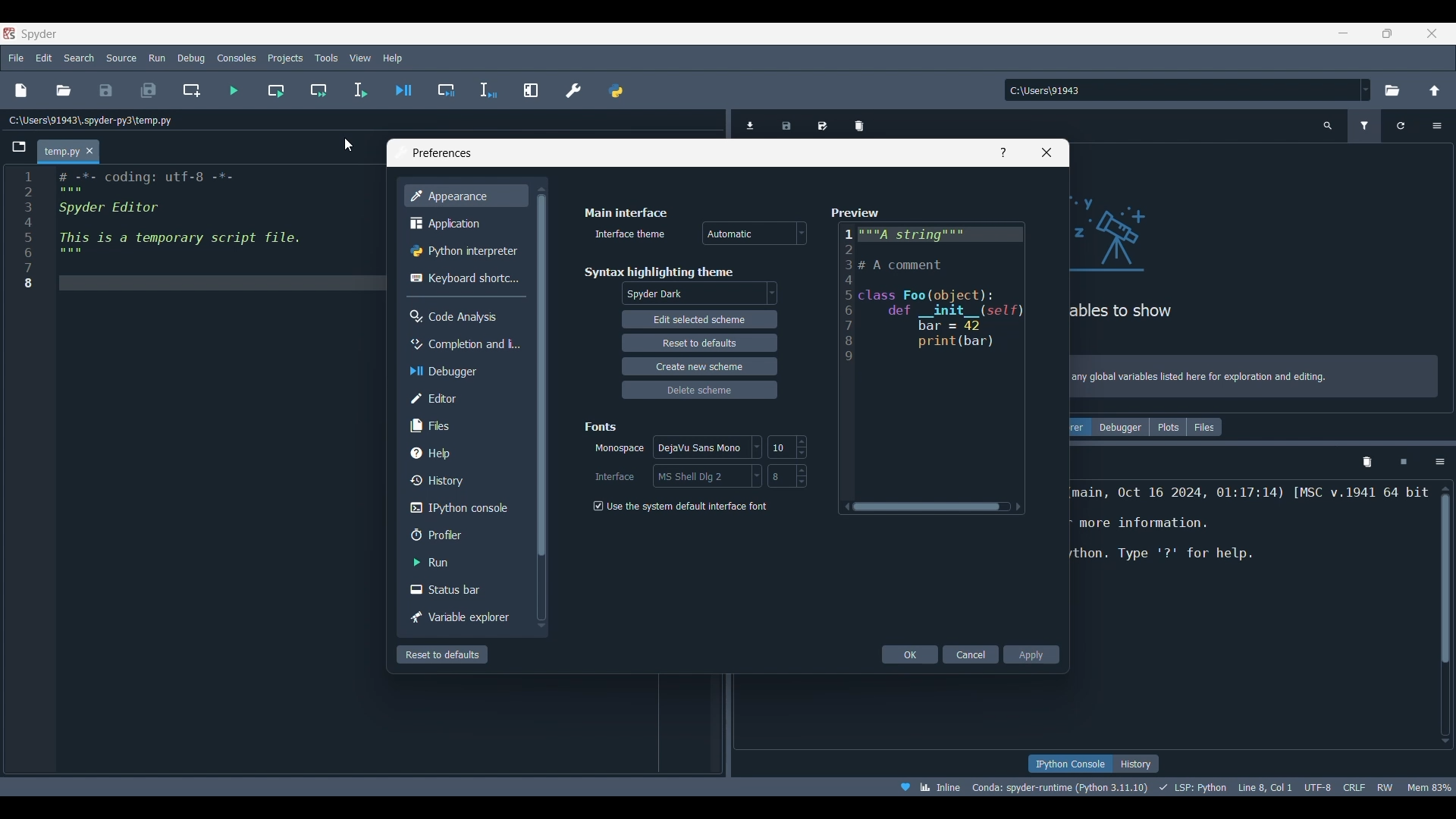  I want to click on Apply, so click(1033, 656).